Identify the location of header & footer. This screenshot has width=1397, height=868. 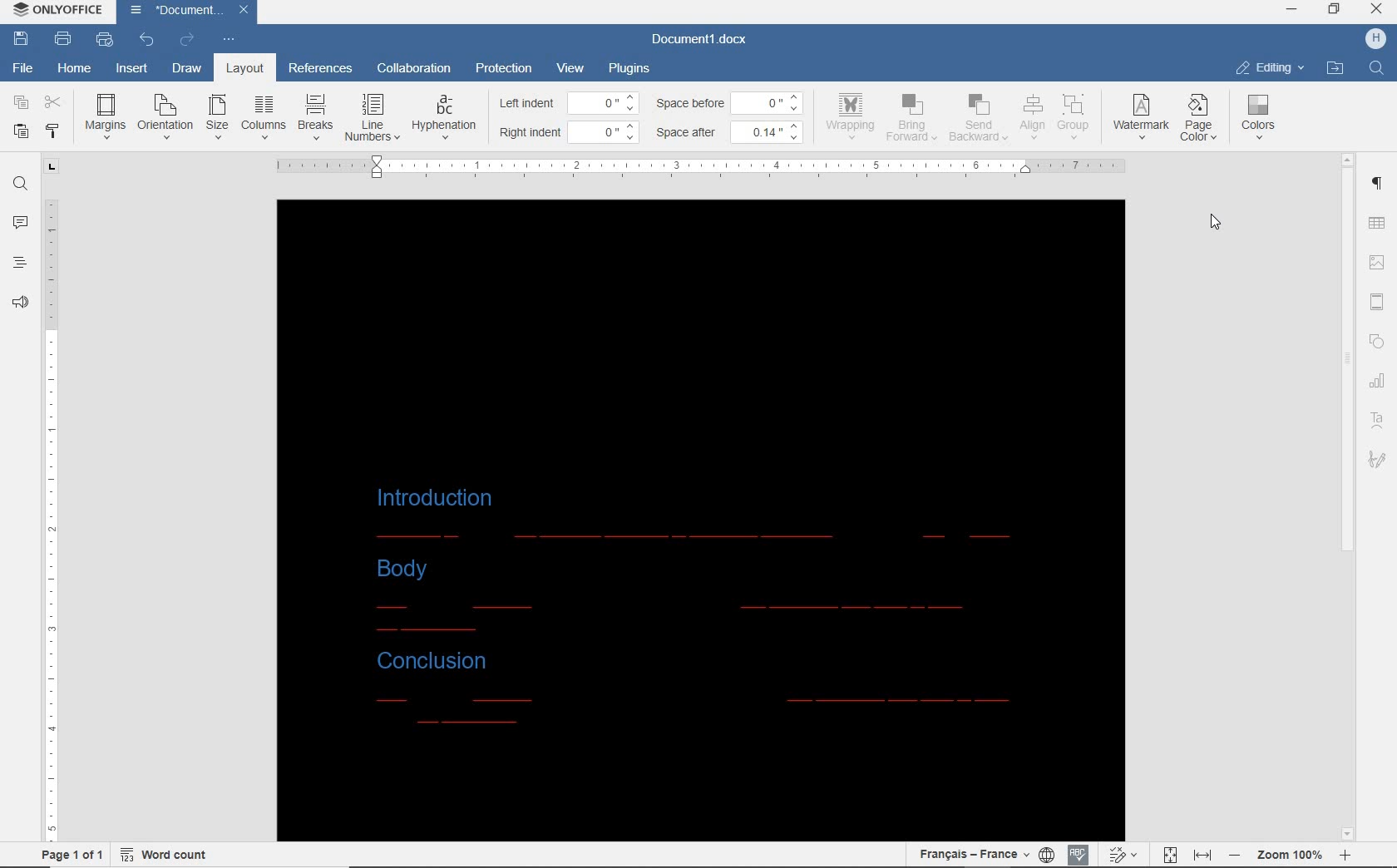
(1378, 303).